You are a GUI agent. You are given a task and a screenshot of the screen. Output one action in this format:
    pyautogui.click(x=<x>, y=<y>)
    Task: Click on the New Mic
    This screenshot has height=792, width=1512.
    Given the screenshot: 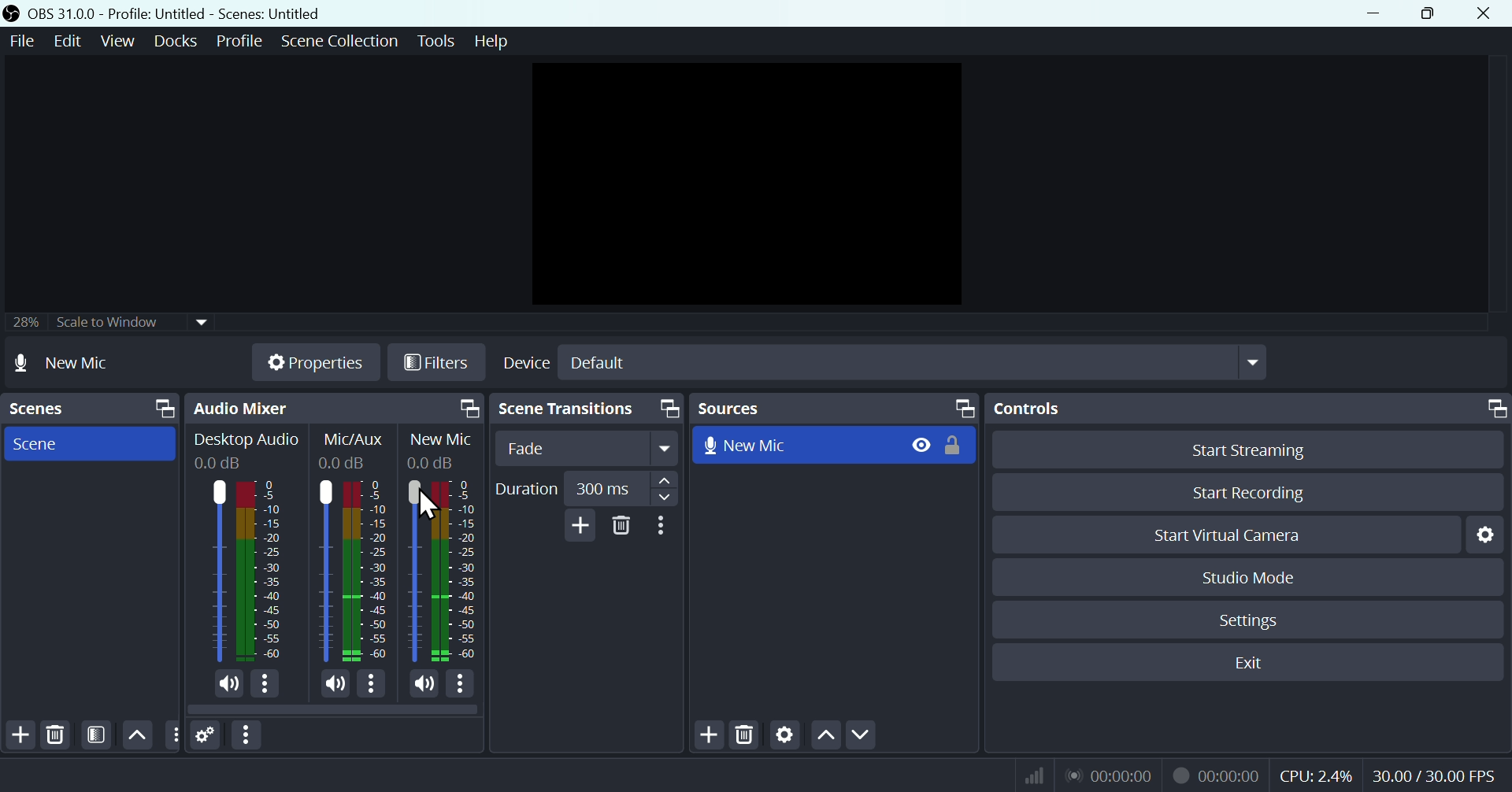 What is the action you would take?
    pyautogui.click(x=795, y=443)
    